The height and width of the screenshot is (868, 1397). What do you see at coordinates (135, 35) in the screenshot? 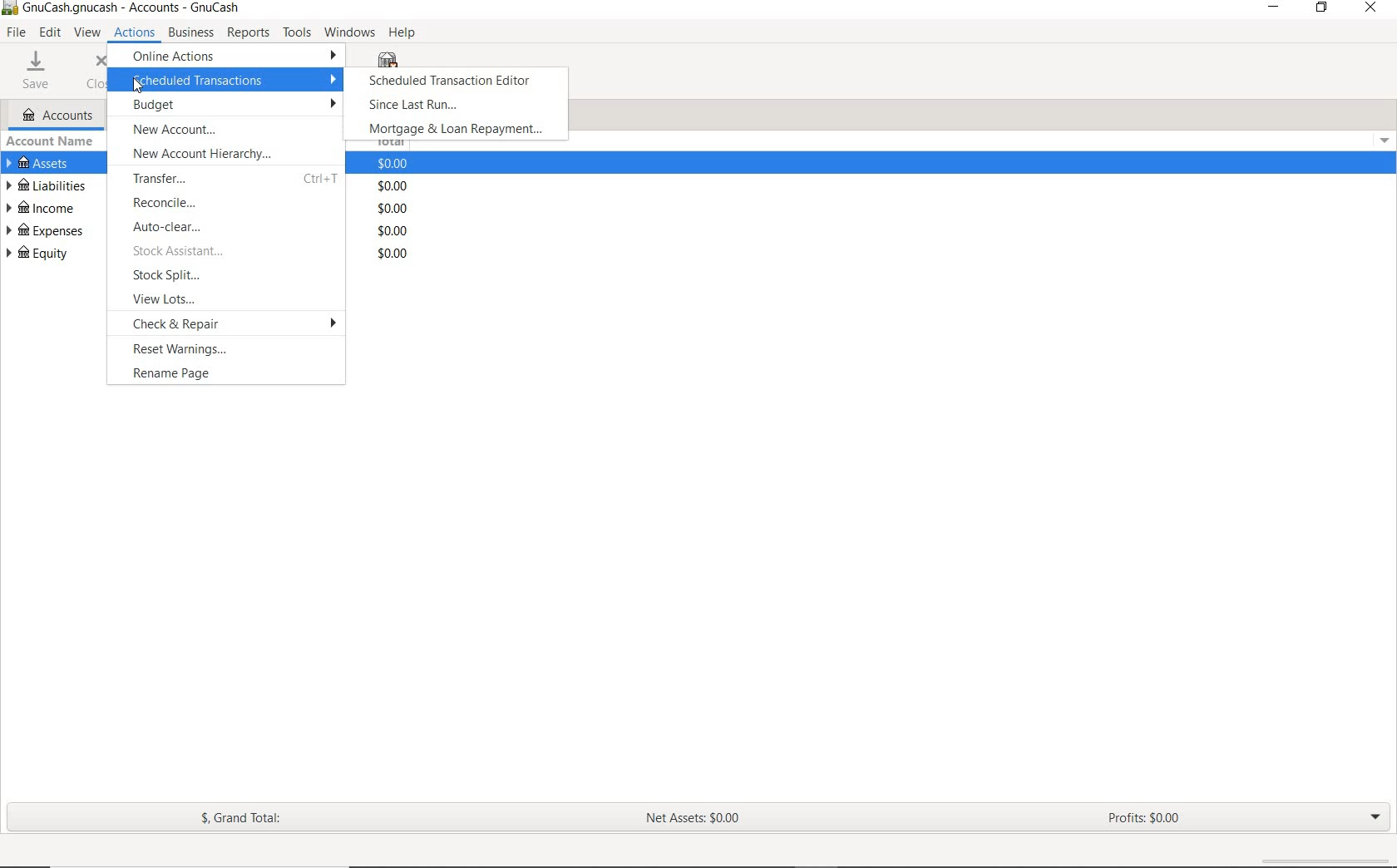
I see `ACTIONS` at bounding box center [135, 35].